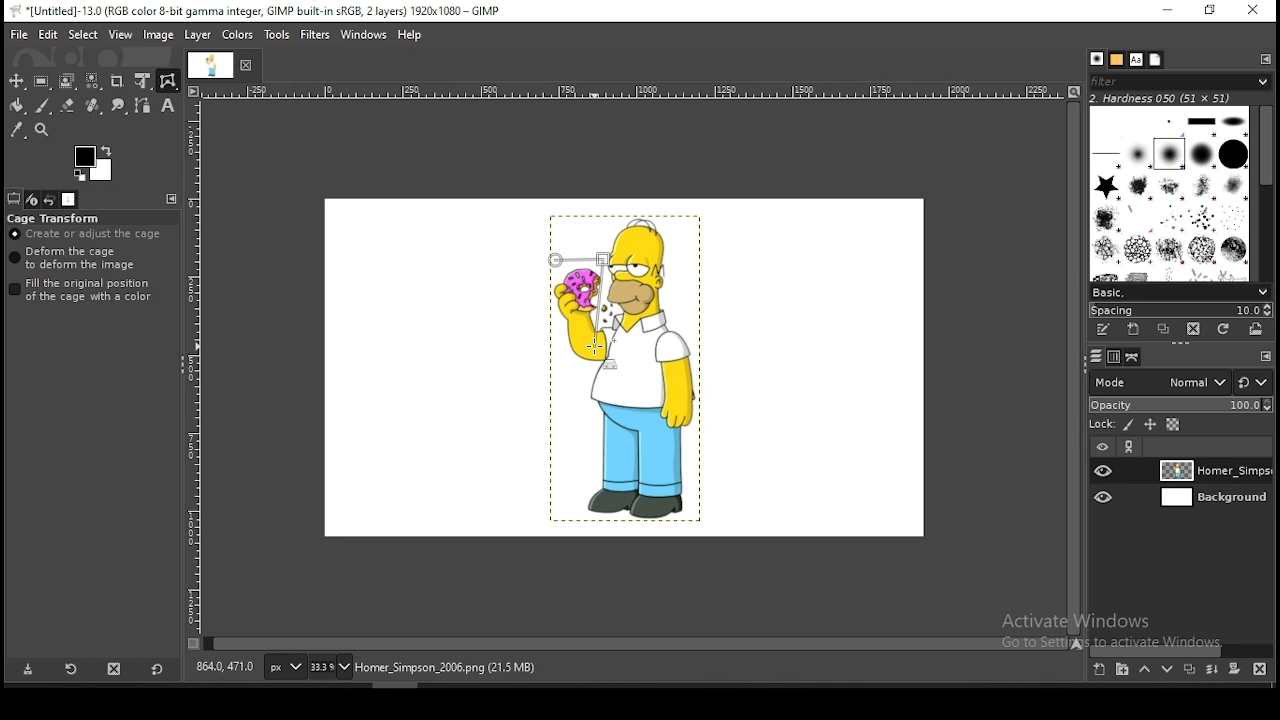 Image resolution: width=1280 pixels, height=720 pixels. I want to click on delete layer, so click(1257, 669).